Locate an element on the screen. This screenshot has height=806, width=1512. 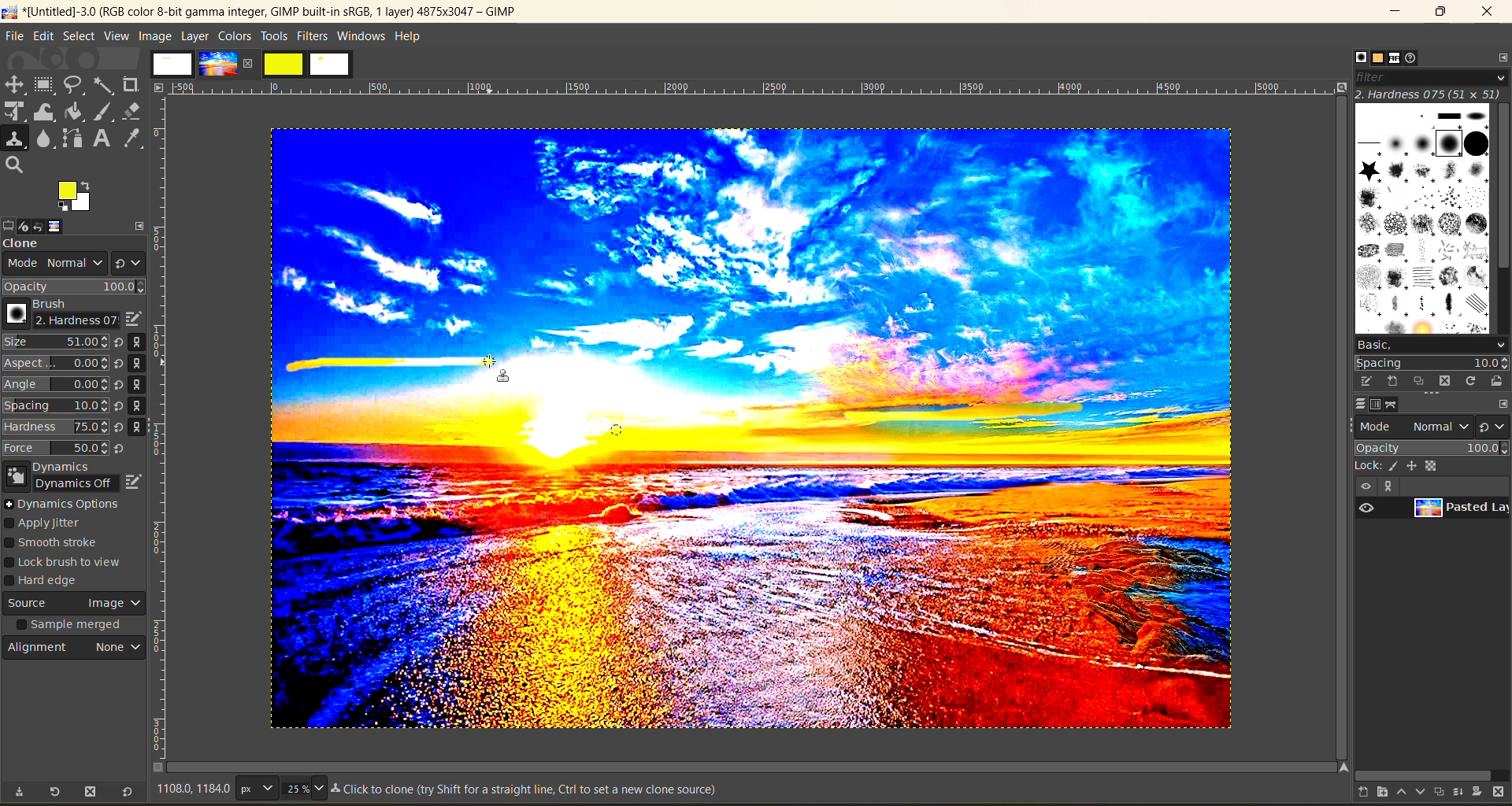
smooth stroke is located at coordinates (57, 544).